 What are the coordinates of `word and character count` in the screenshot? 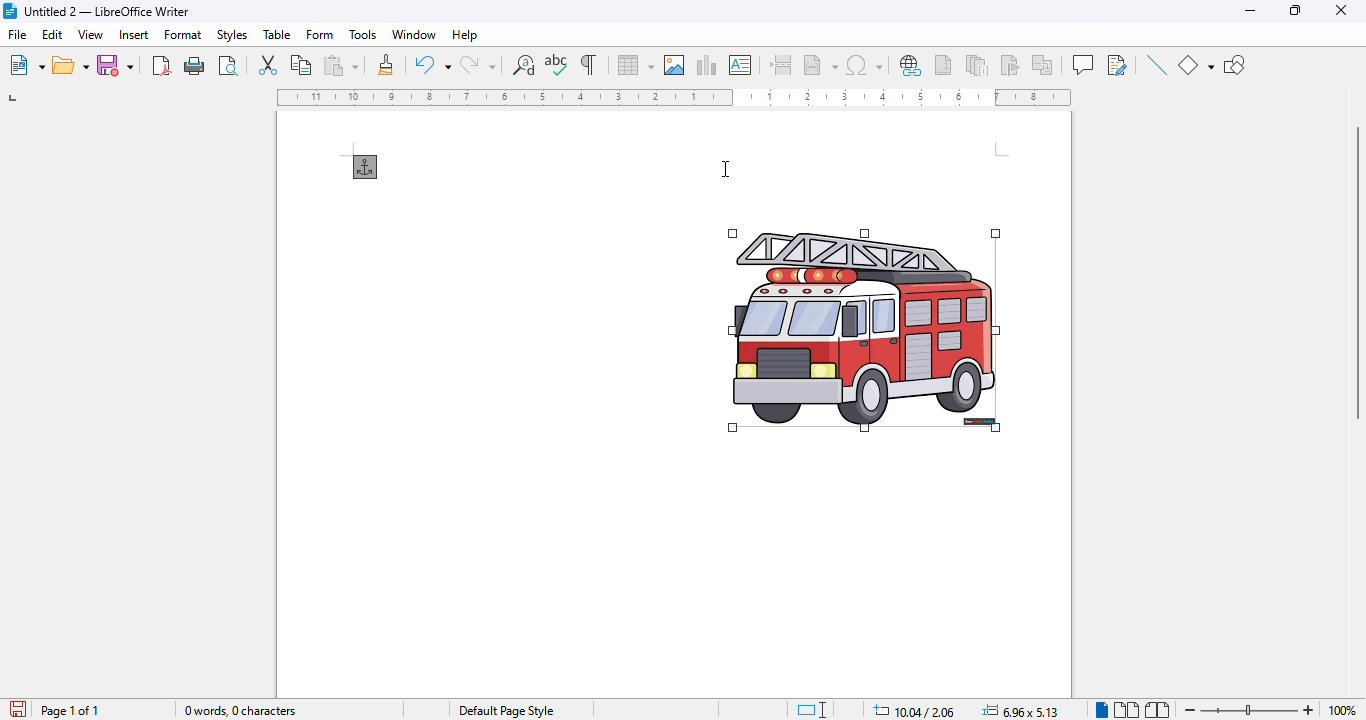 It's located at (242, 710).